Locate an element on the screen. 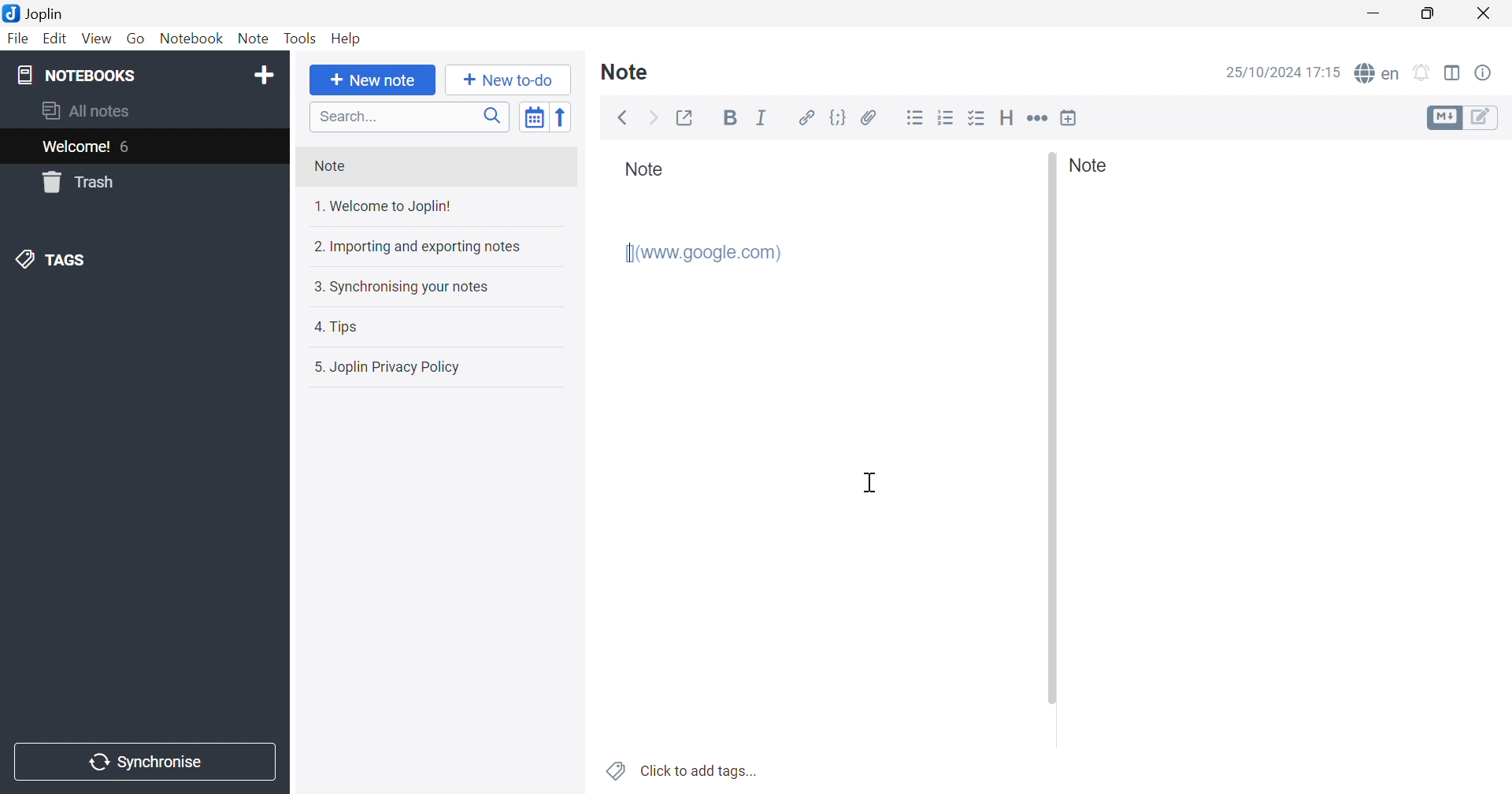 The width and height of the screenshot is (1512, 794). File is located at coordinates (17, 39).